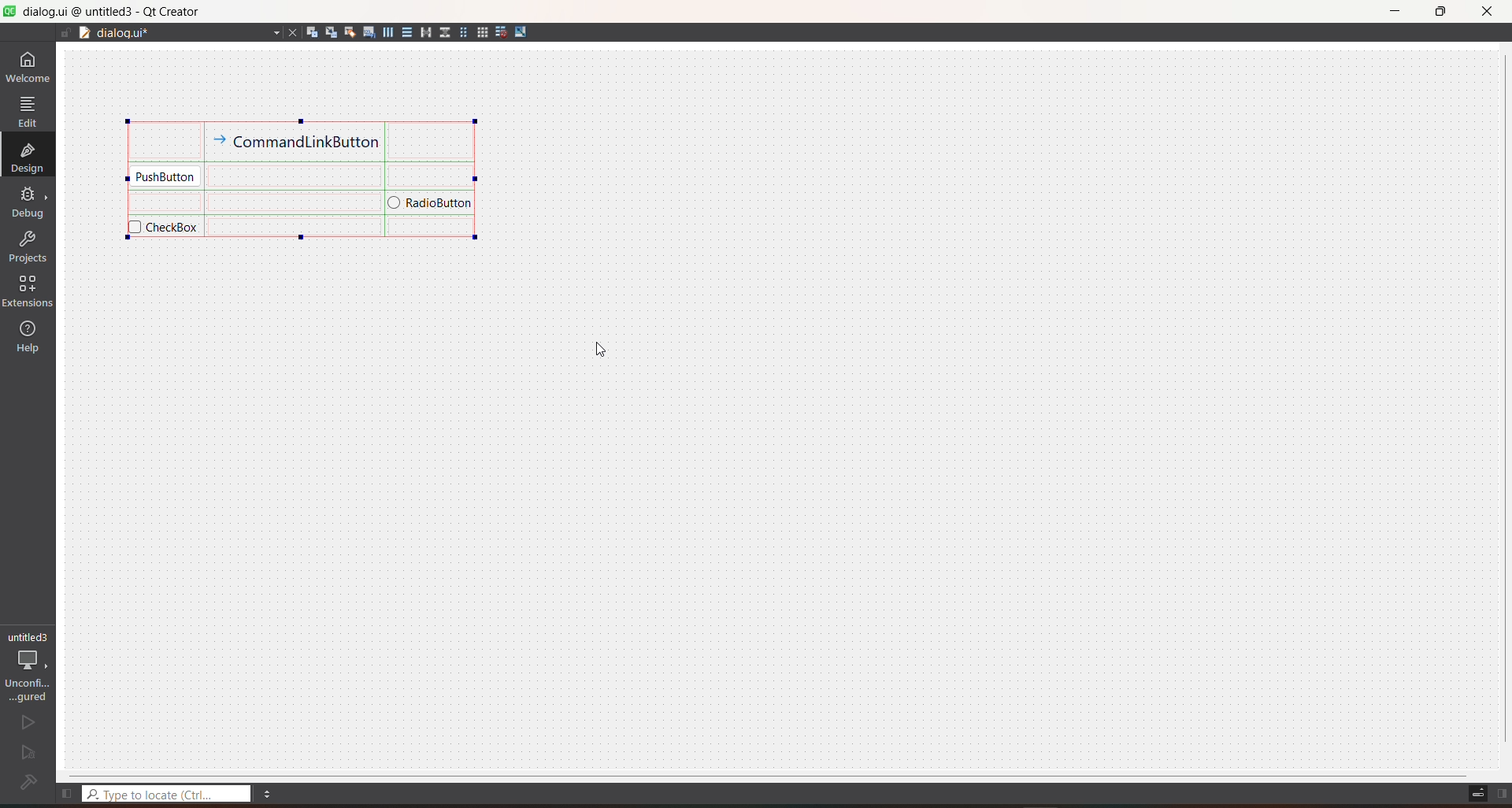  Describe the element at coordinates (112, 12) in the screenshot. I see `title` at that location.